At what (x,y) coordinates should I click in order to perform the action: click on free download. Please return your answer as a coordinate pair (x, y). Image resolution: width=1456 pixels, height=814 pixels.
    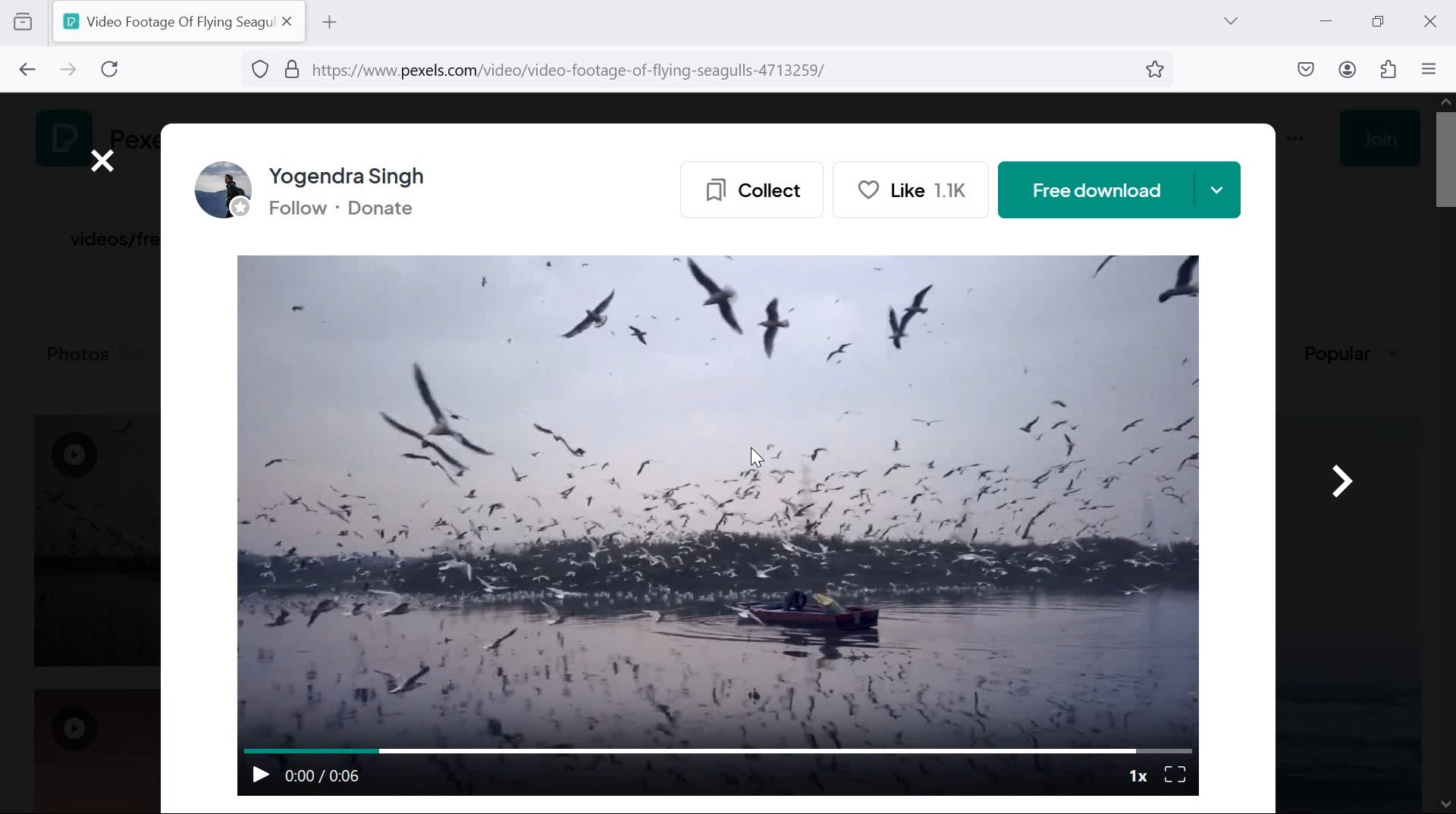
    Looking at the image, I should click on (1120, 190).